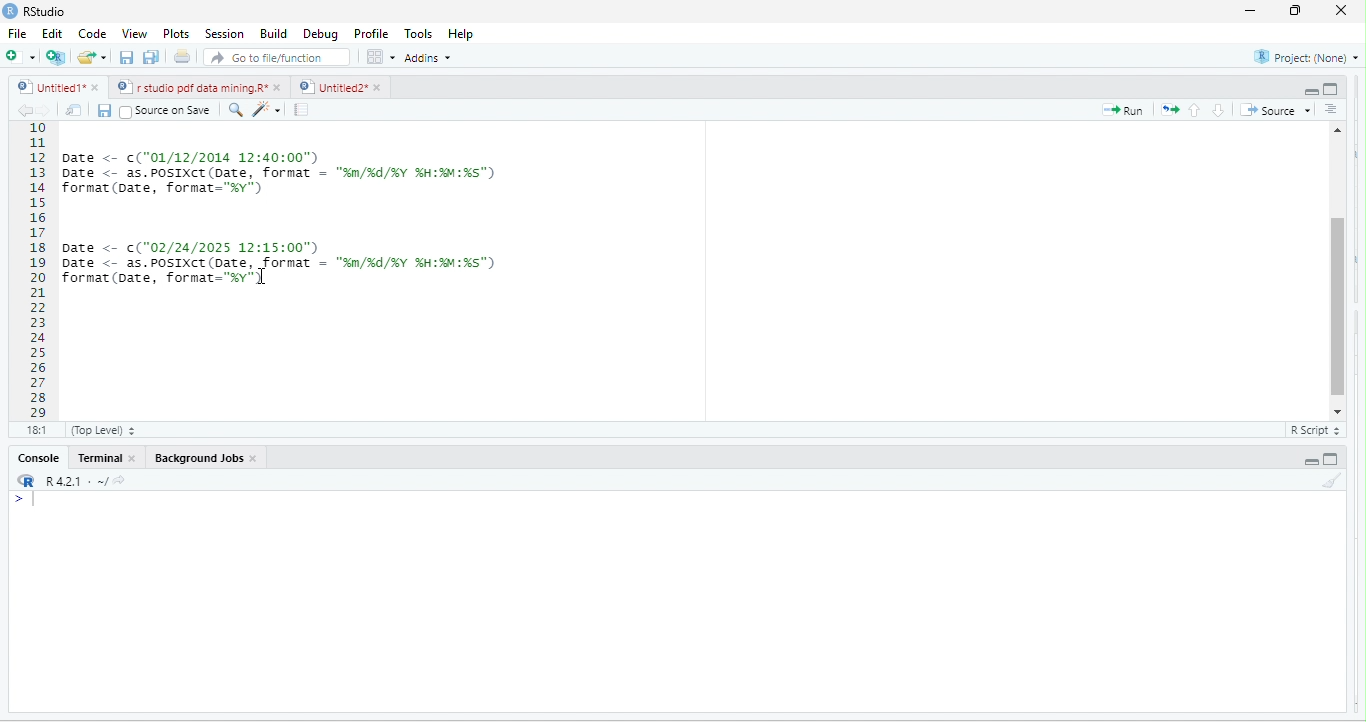  Describe the element at coordinates (165, 110) in the screenshot. I see `‘Source on Save` at that location.